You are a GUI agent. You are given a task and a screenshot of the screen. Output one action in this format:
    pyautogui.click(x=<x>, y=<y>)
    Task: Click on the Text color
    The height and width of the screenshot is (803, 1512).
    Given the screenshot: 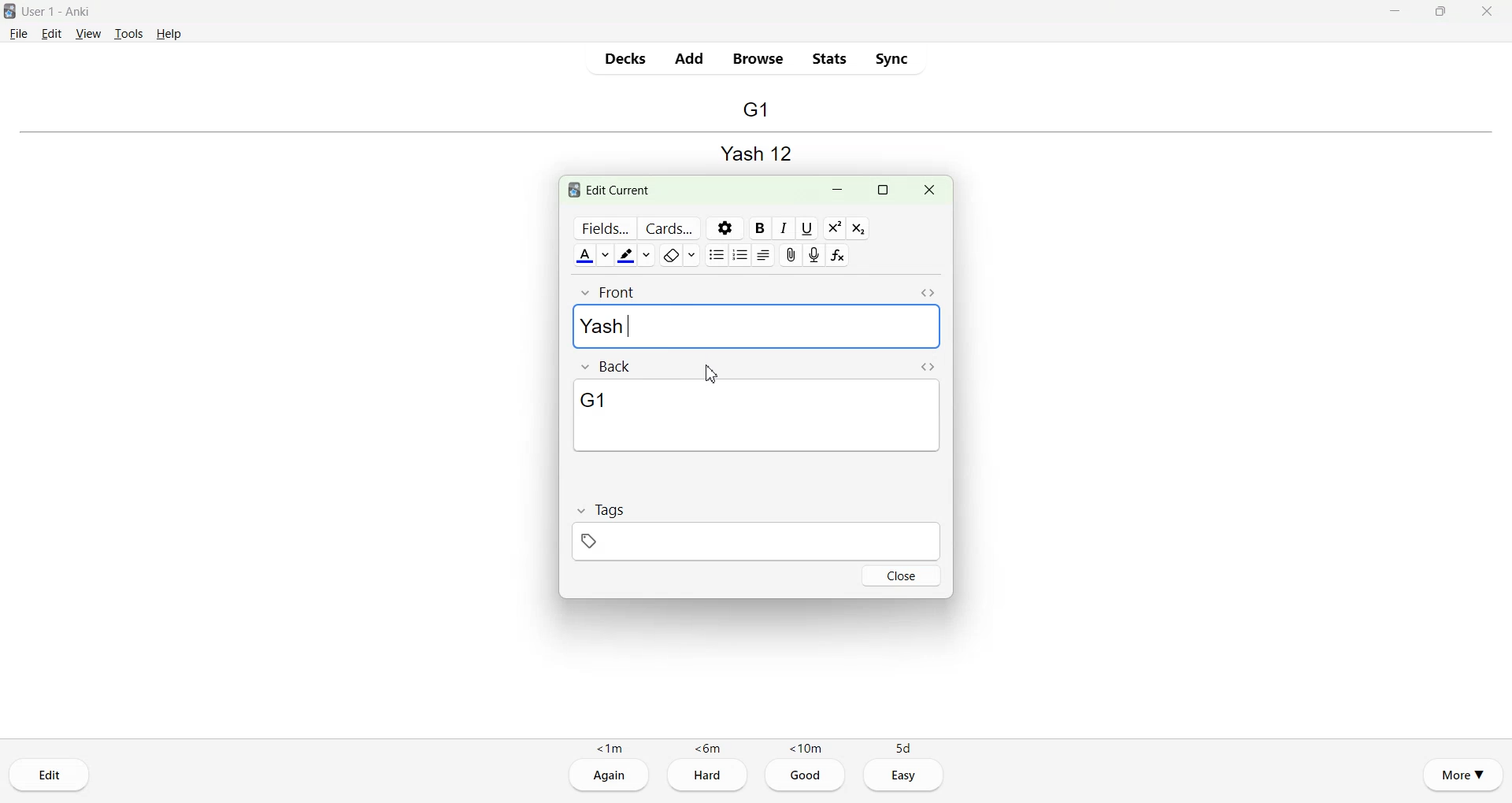 What is the action you would take?
    pyautogui.click(x=584, y=255)
    